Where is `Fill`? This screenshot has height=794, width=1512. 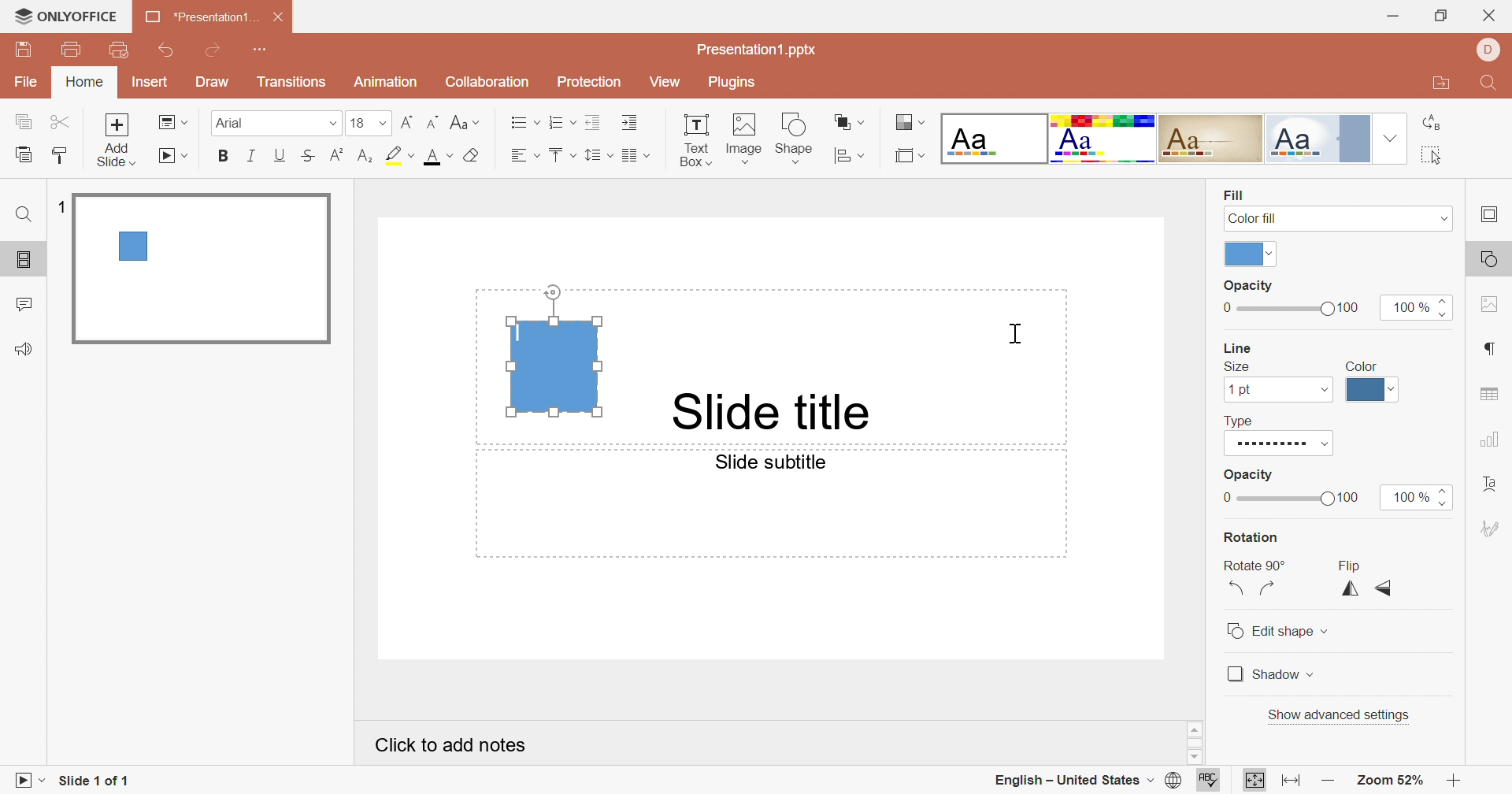
Fill is located at coordinates (1233, 194).